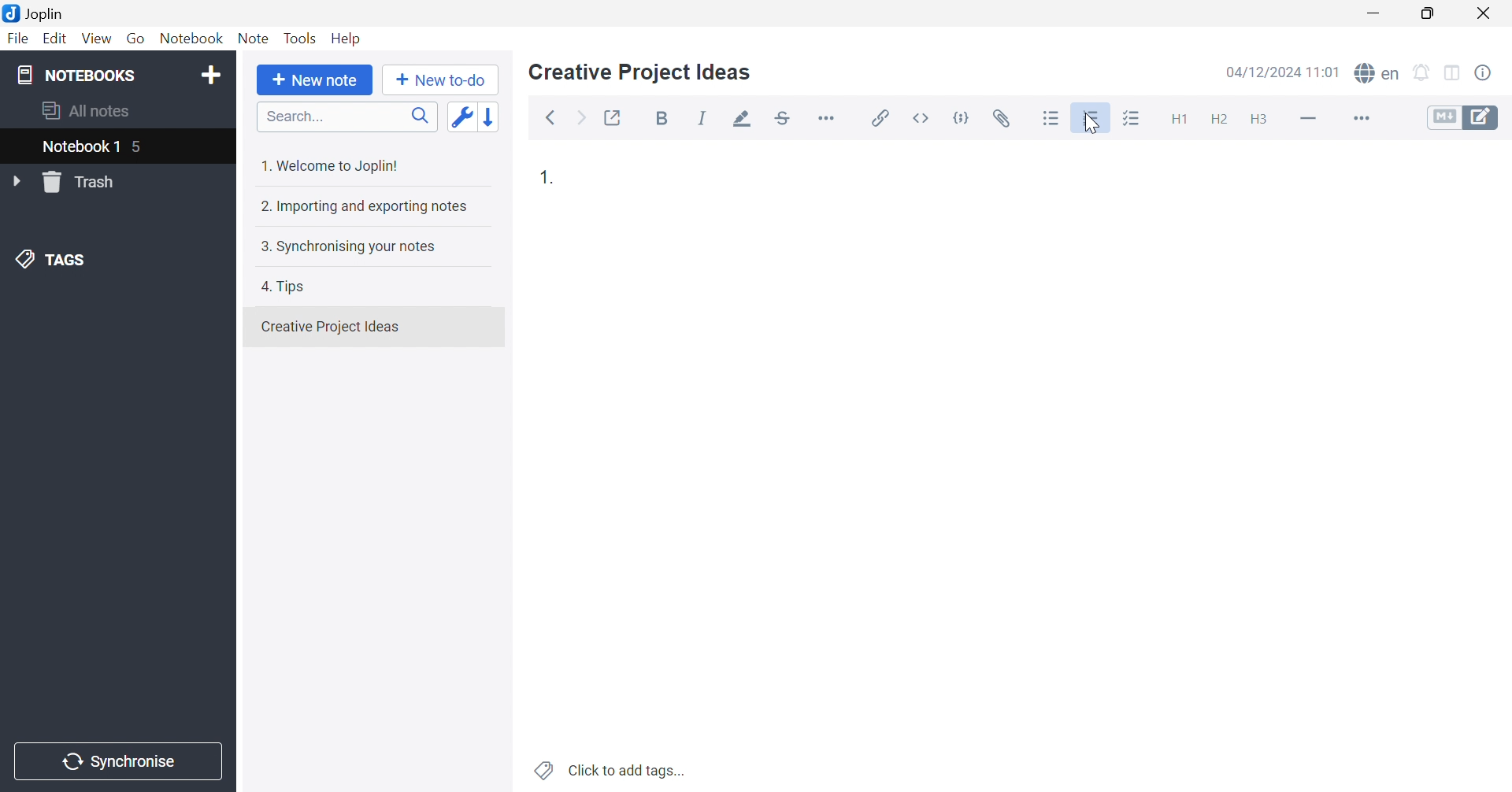  I want to click on Creative Project Ideas, so click(639, 72).